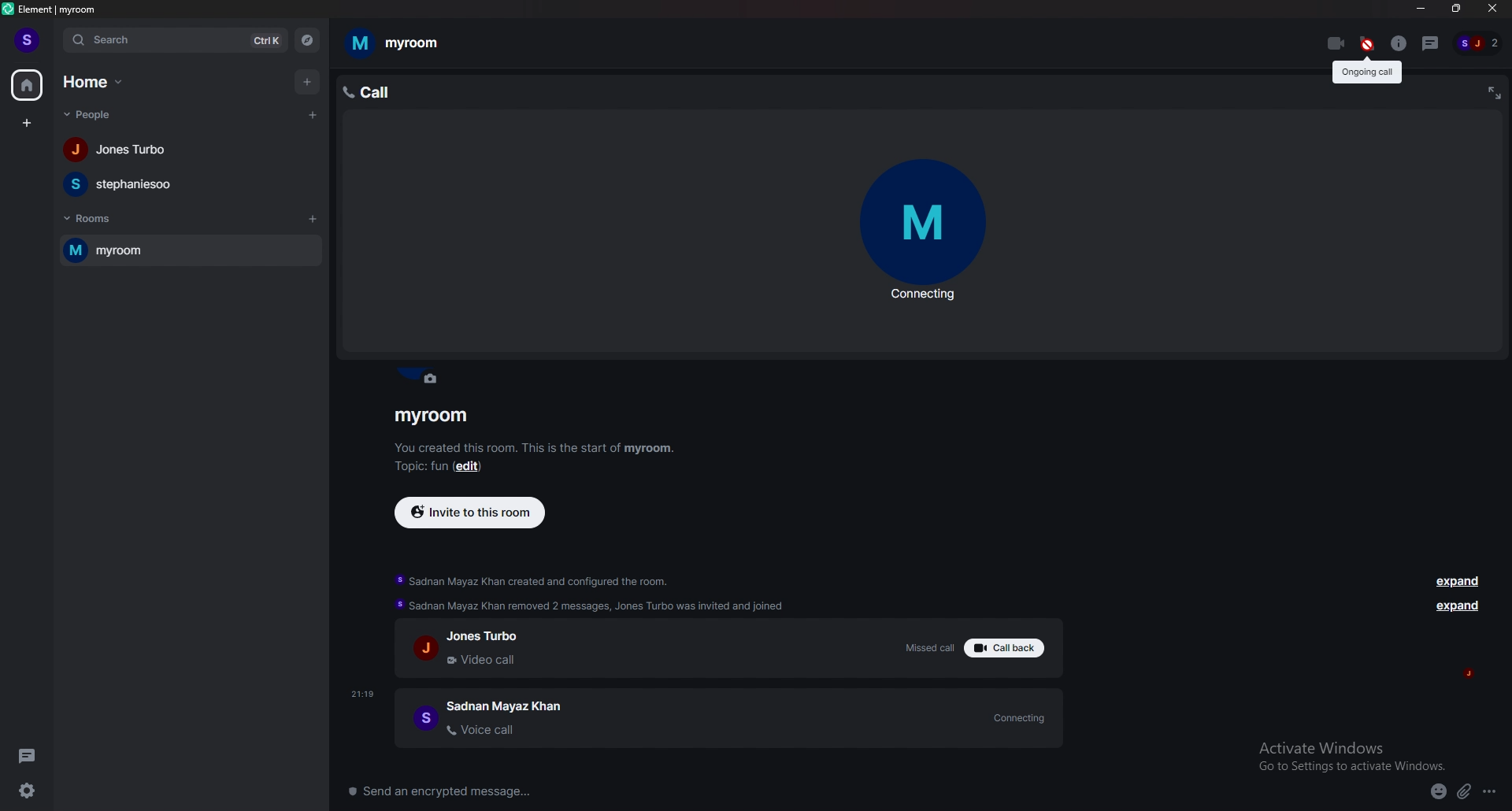 The height and width of the screenshot is (811, 1512). What do you see at coordinates (417, 465) in the screenshot?
I see `topic: fun` at bounding box center [417, 465].